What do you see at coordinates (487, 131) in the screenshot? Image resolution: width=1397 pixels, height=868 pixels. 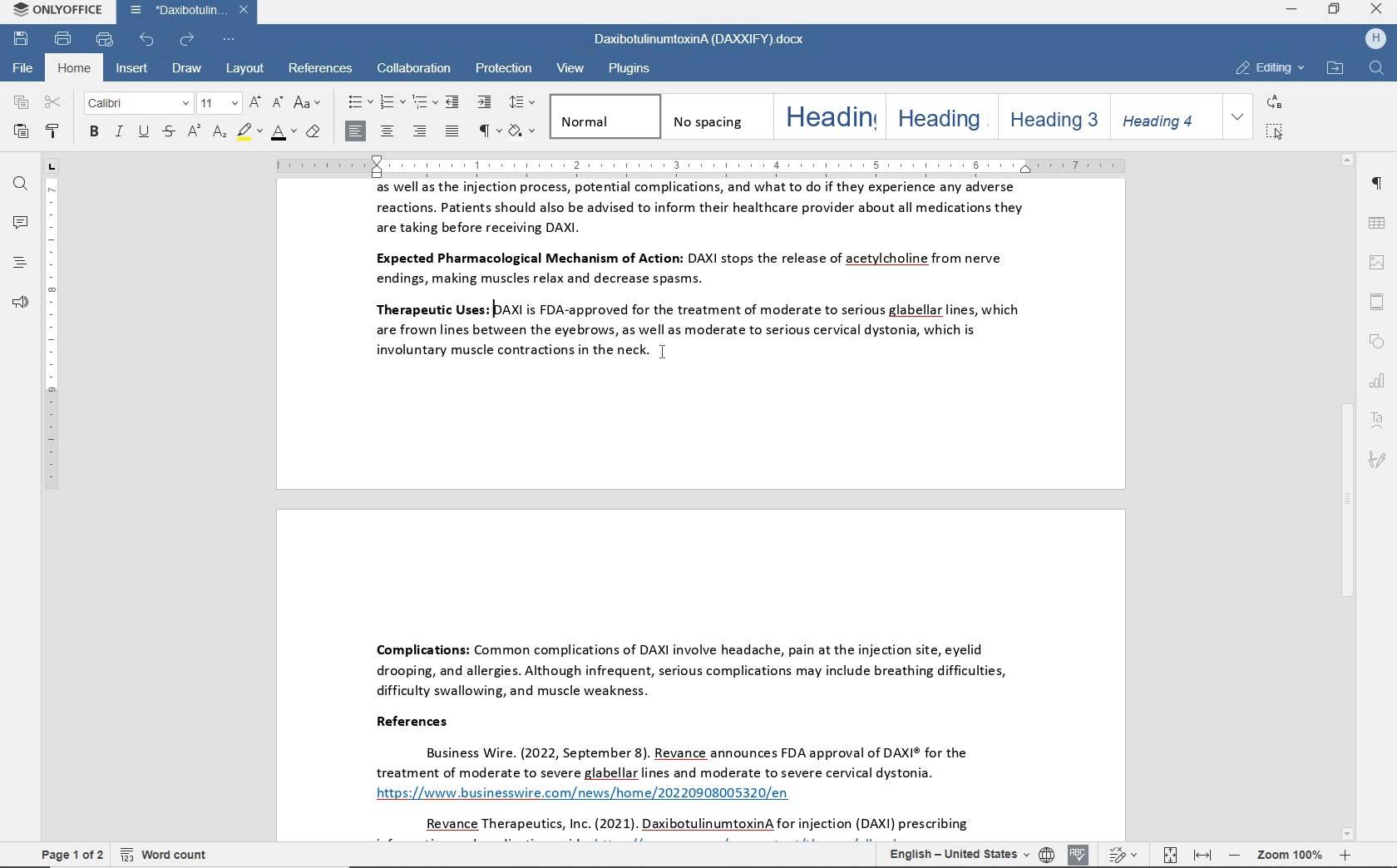 I see `nonprinting characters` at bounding box center [487, 131].